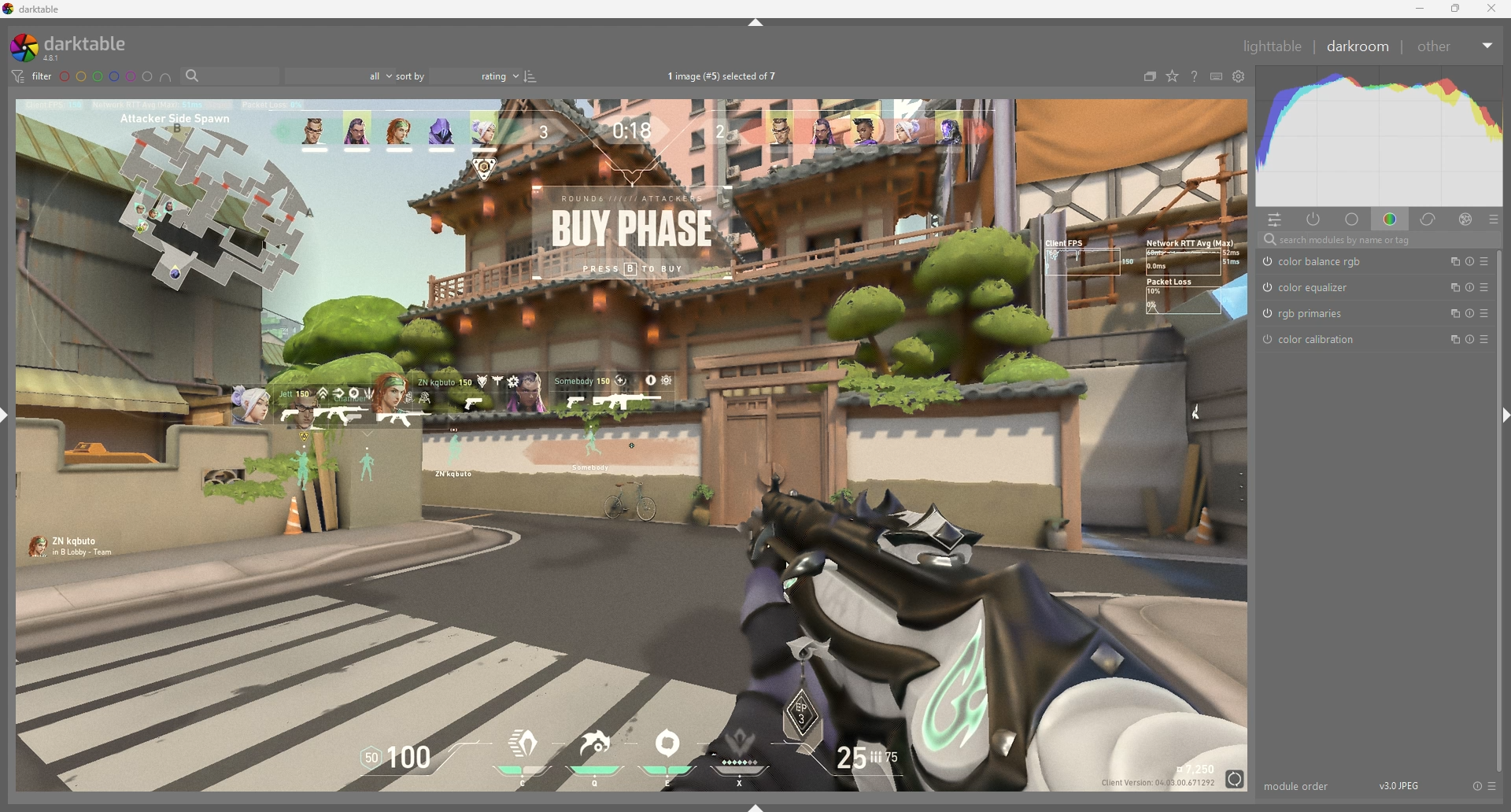 The width and height of the screenshot is (1511, 812). Describe the element at coordinates (1455, 9) in the screenshot. I see `resize` at that location.